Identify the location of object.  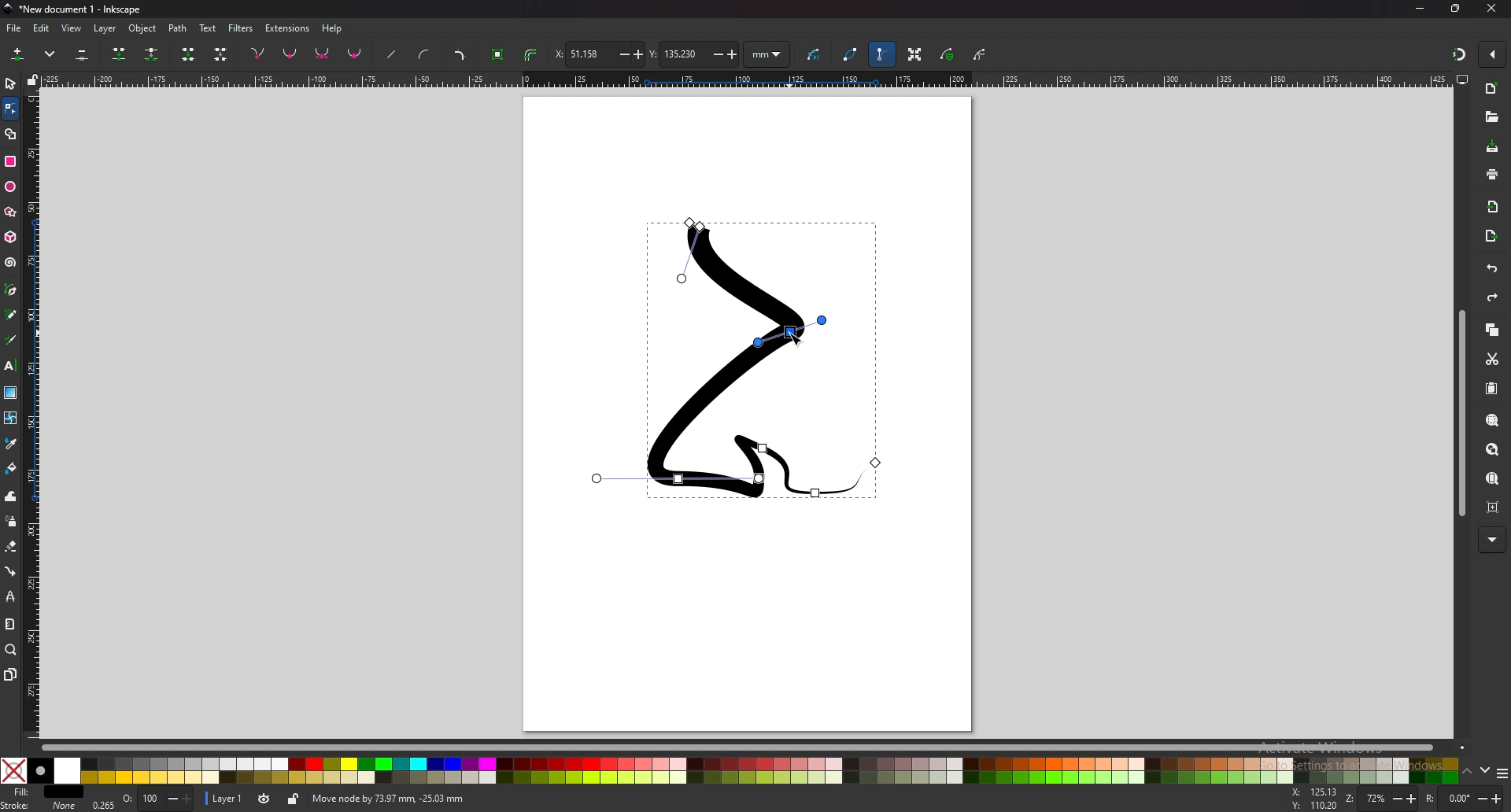
(145, 28).